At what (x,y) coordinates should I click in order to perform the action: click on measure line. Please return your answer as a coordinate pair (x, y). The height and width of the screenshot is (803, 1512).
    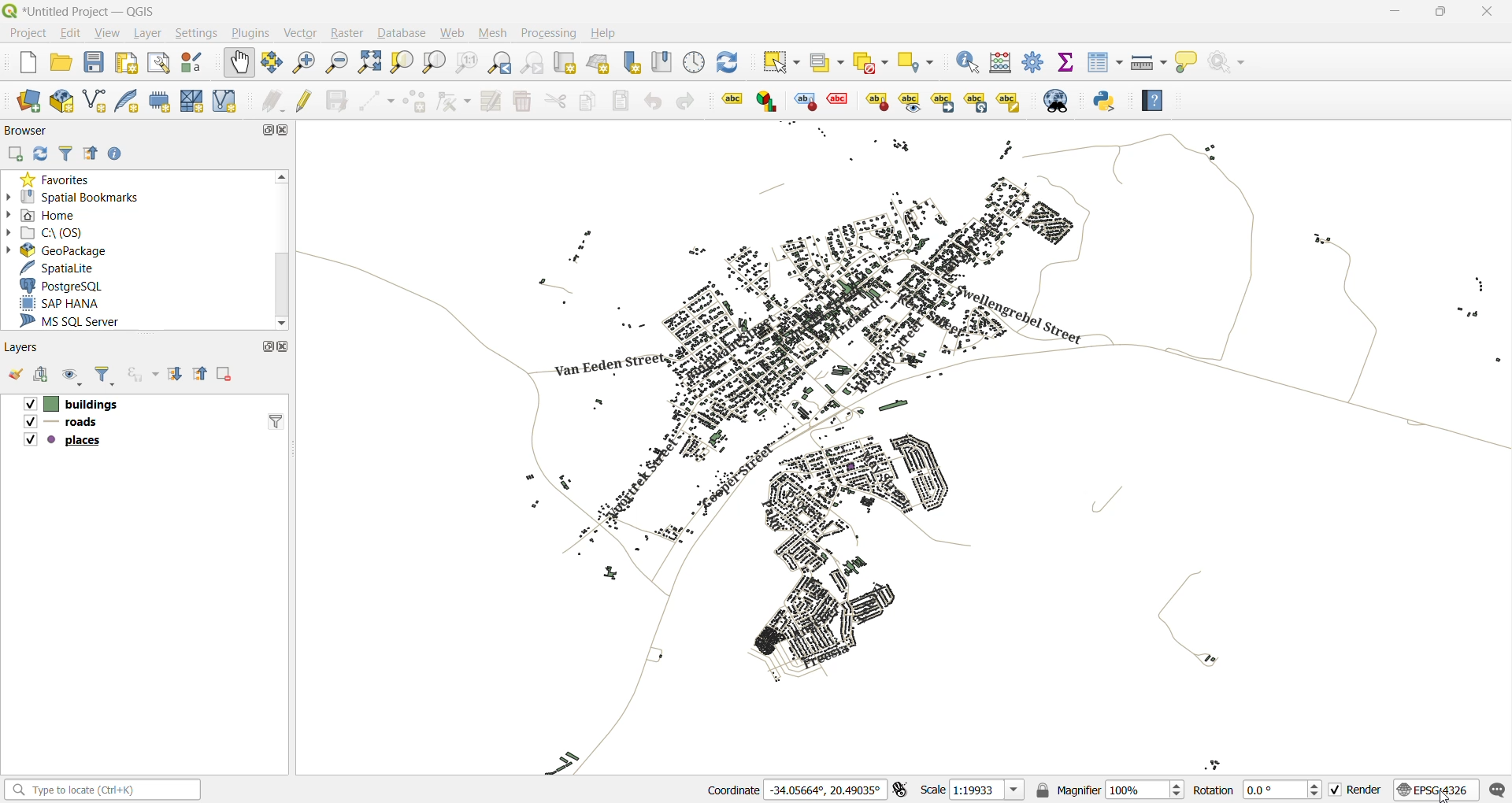
    Looking at the image, I should click on (1147, 62).